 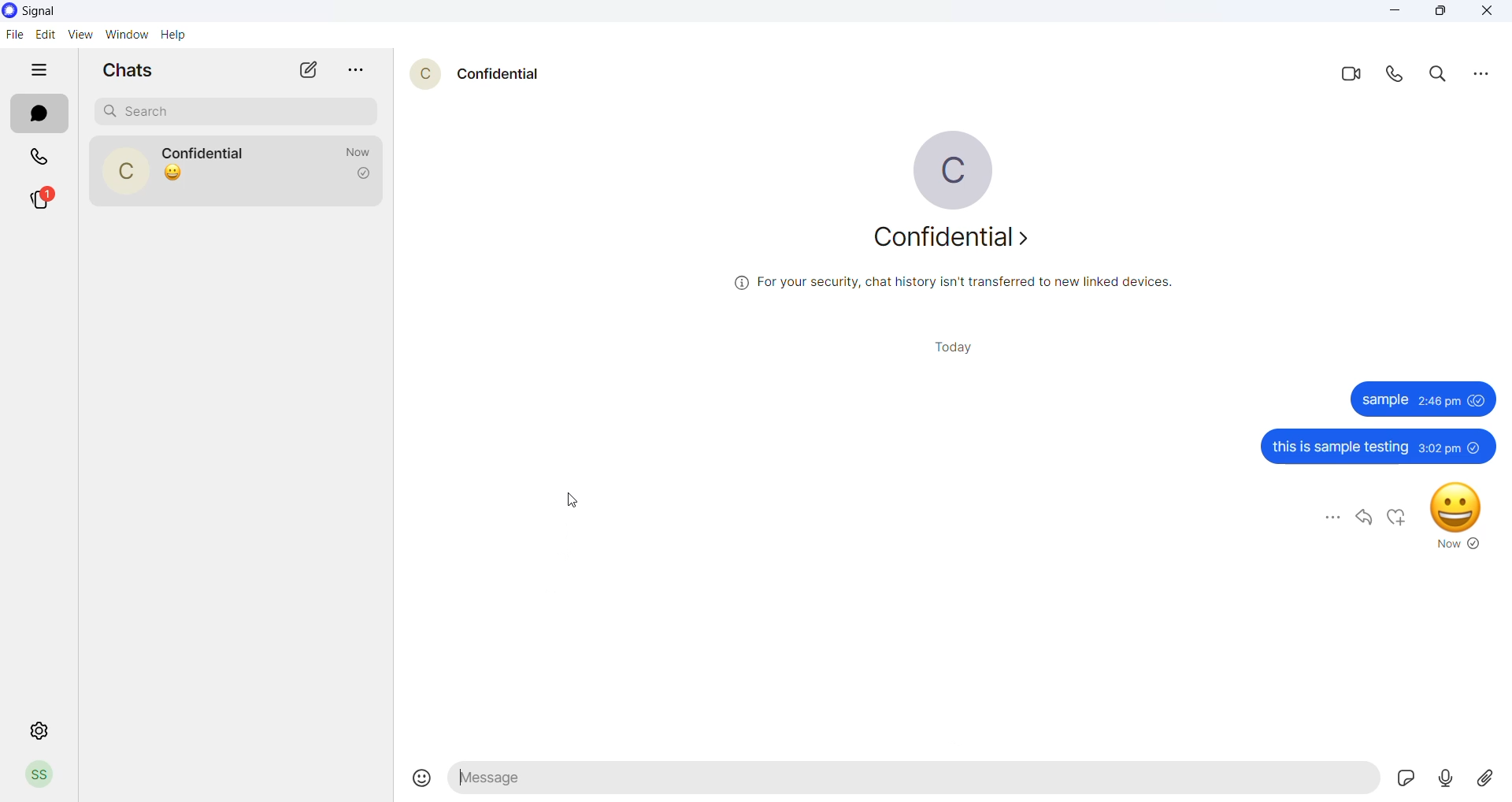 I want to click on search chats, so click(x=235, y=111).